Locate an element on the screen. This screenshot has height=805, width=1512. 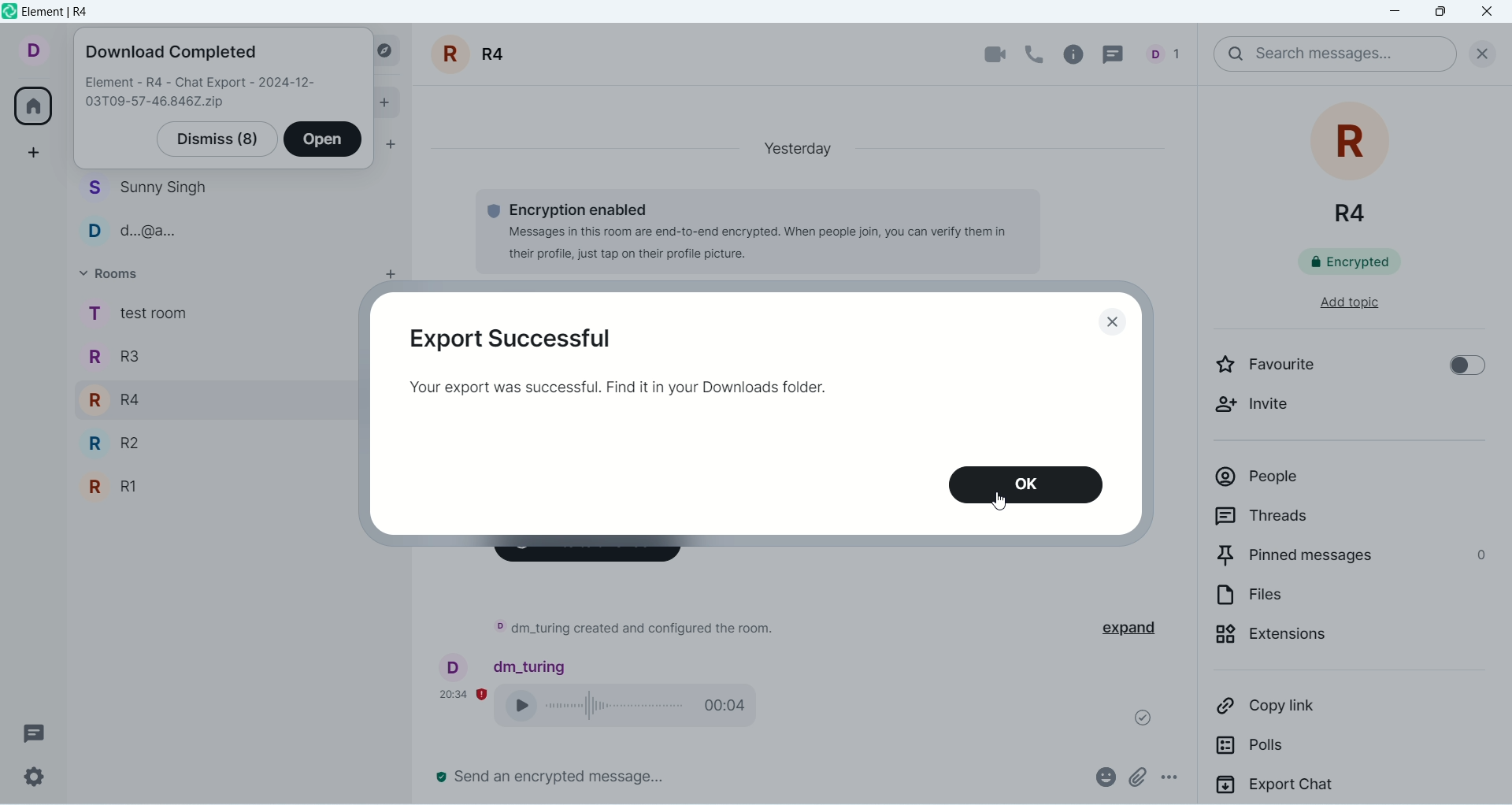
close is located at coordinates (1478, 51).